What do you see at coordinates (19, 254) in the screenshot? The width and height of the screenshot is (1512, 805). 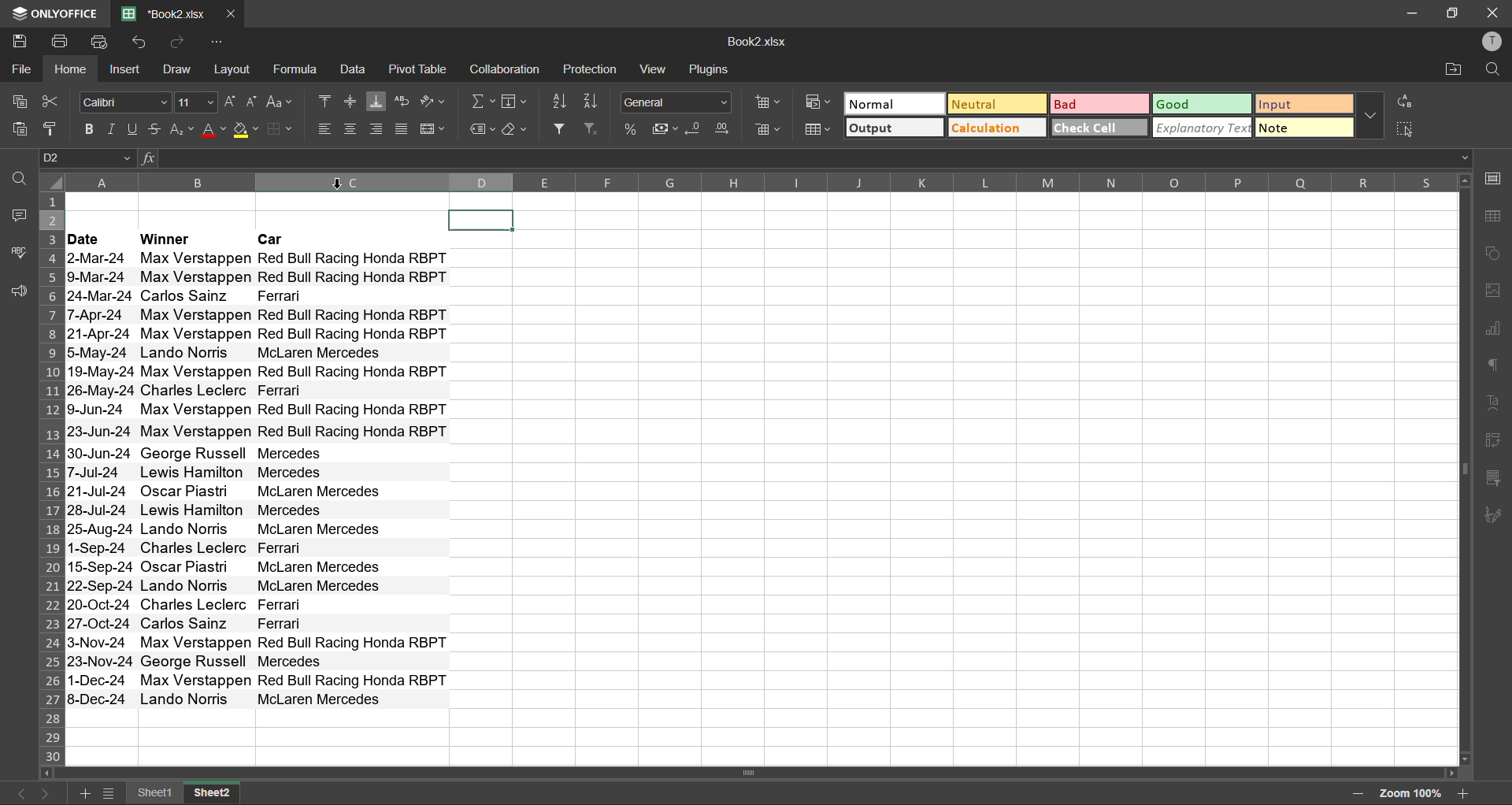 I see `spellcheck` at bounding box center [19, 254].